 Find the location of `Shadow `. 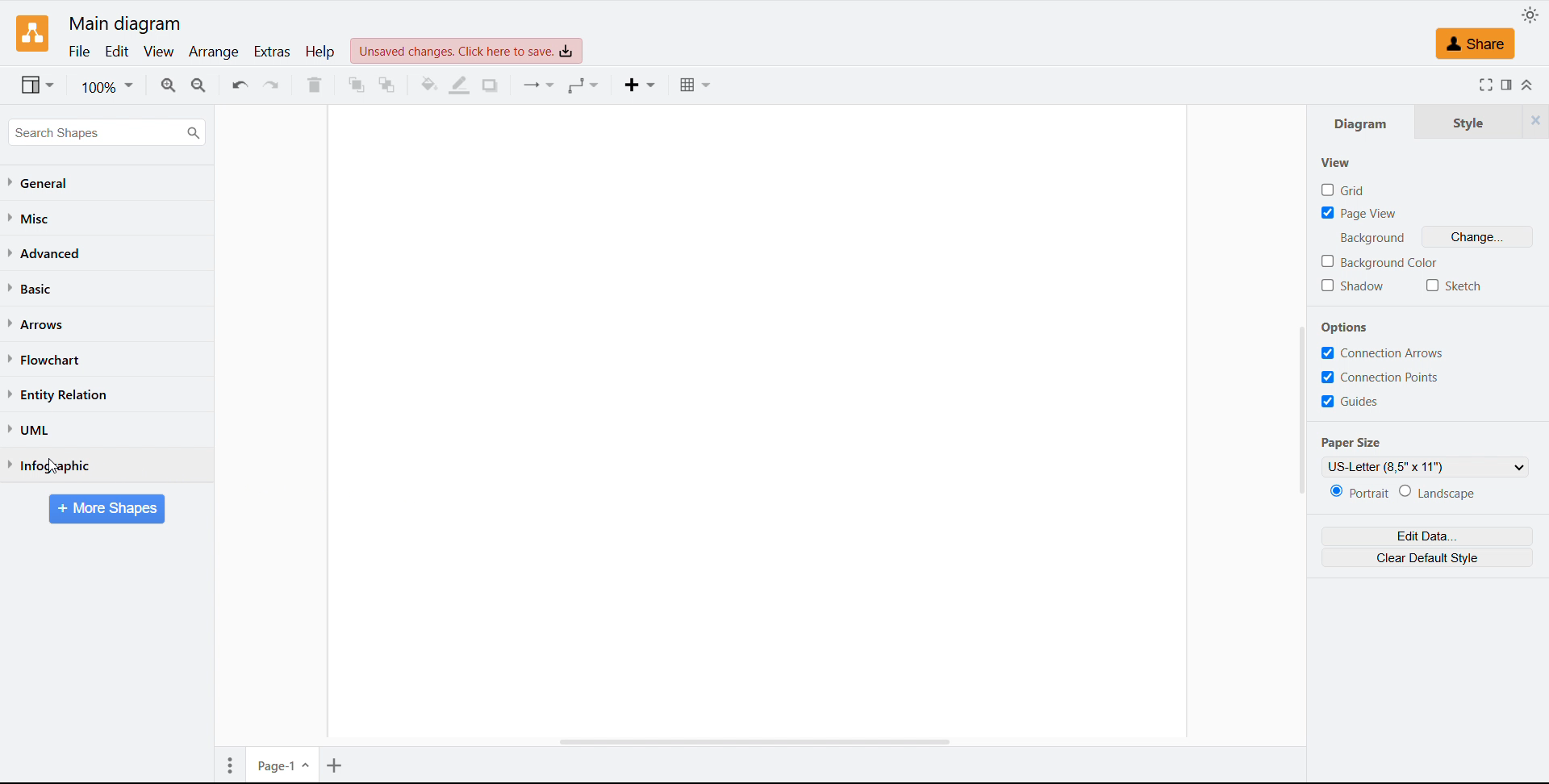

Shadow  is located at coordinates (490, 85).